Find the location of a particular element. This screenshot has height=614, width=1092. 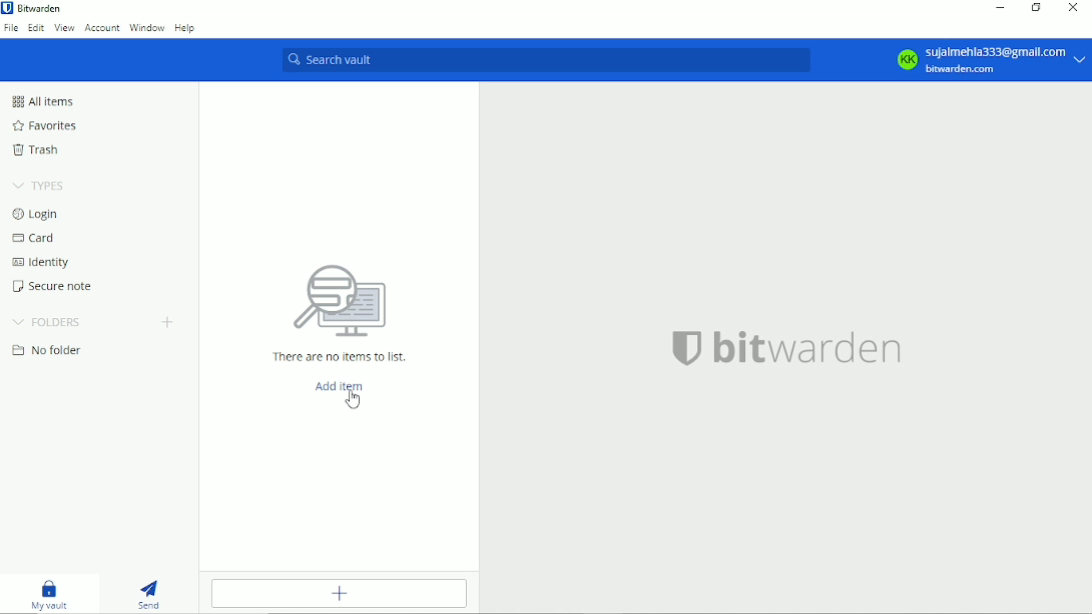

No folder is located at coordinates (47, 351).